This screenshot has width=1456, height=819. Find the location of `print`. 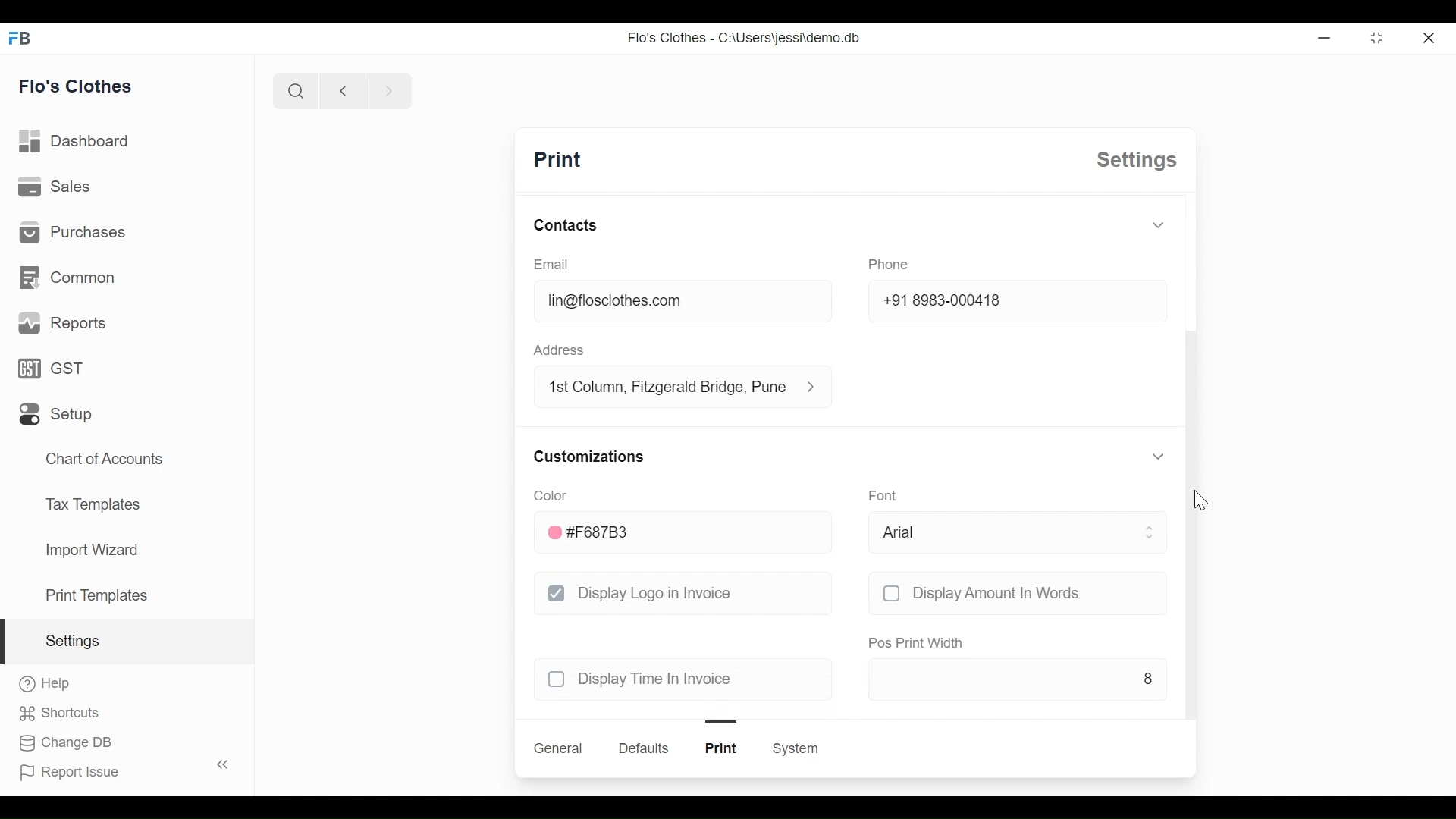

print is located at coordinates (557, 160).